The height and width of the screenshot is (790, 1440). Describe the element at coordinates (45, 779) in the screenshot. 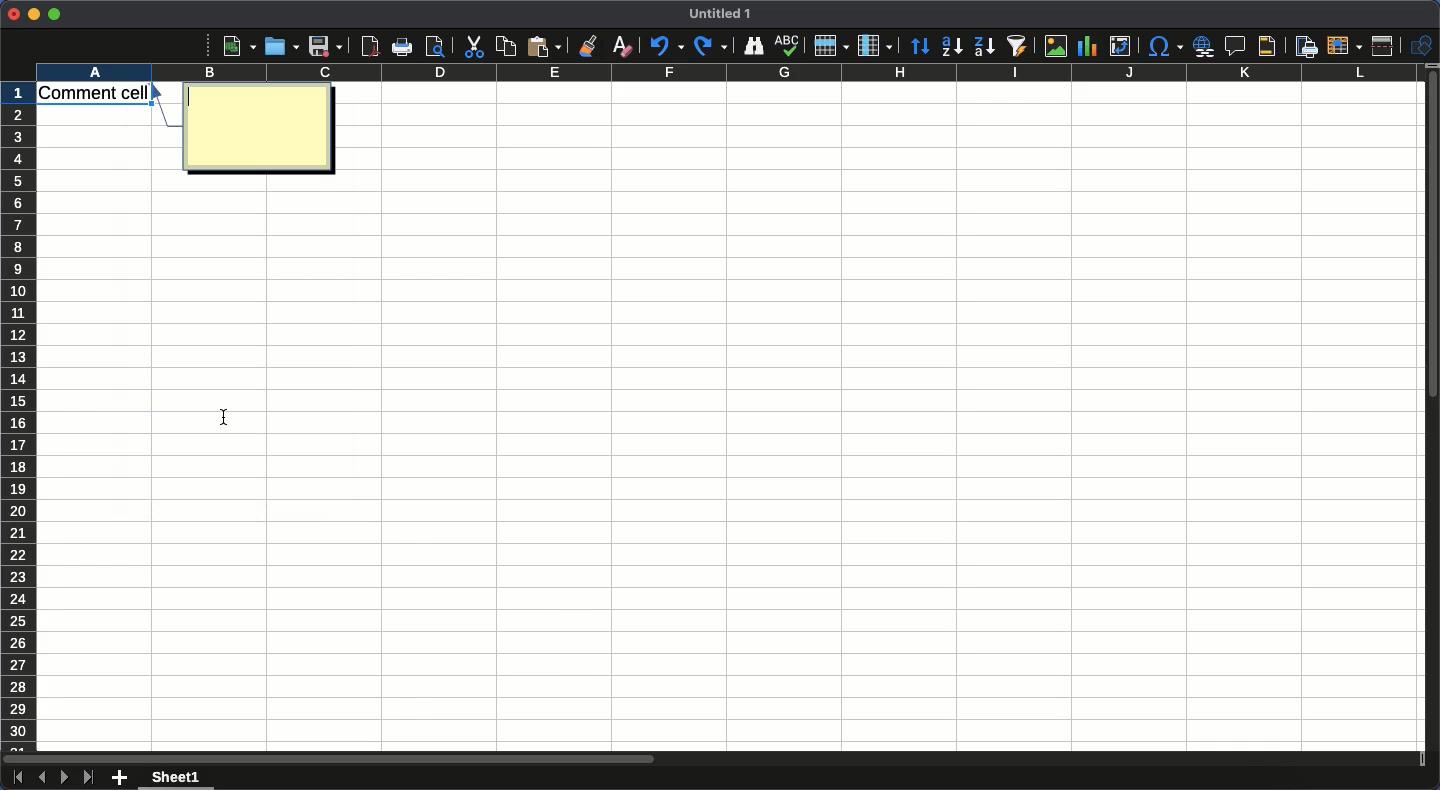

I see `Previous sheet` at that location.